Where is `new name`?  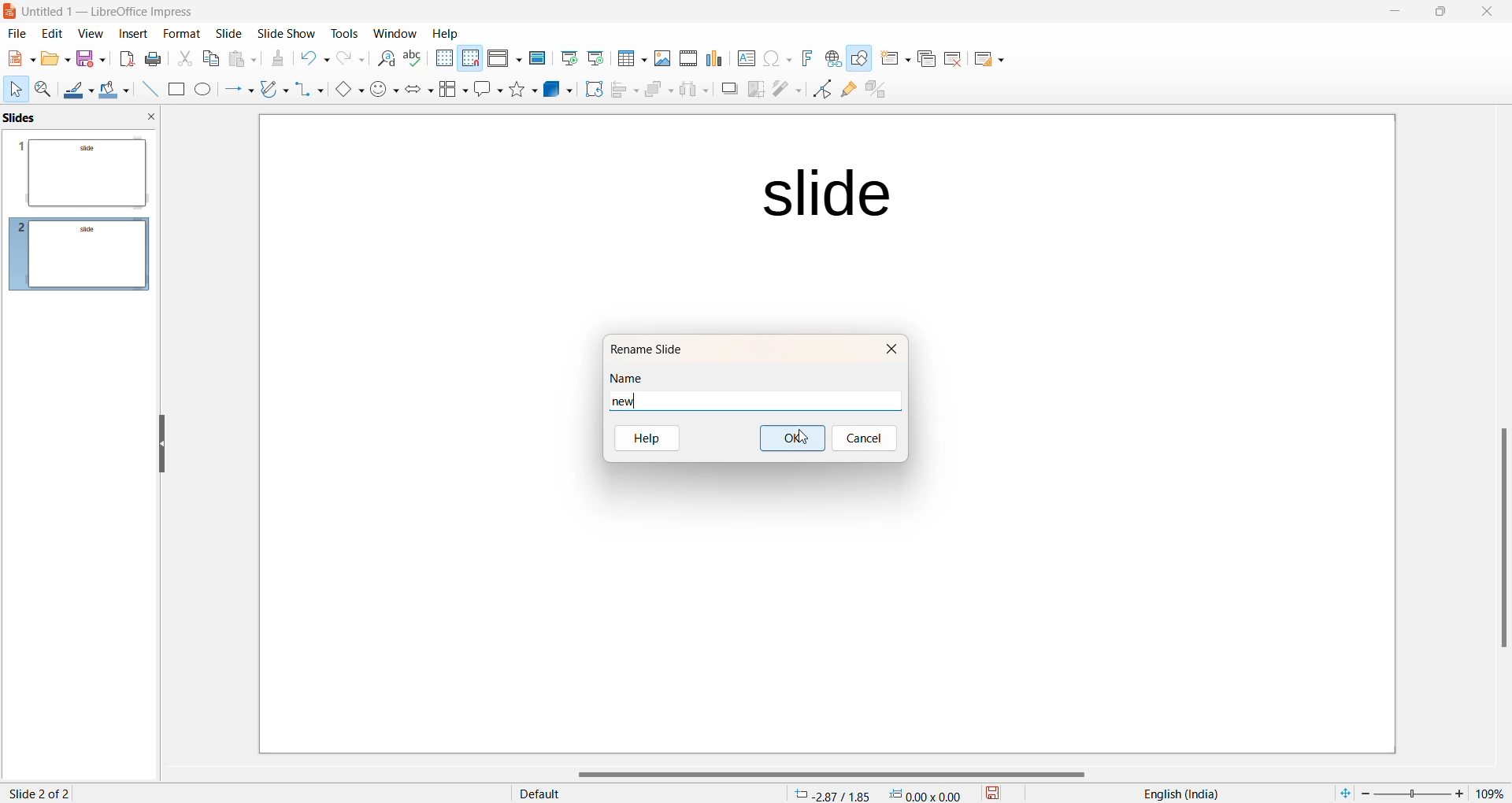 new name is located at coordinates (639, 399).